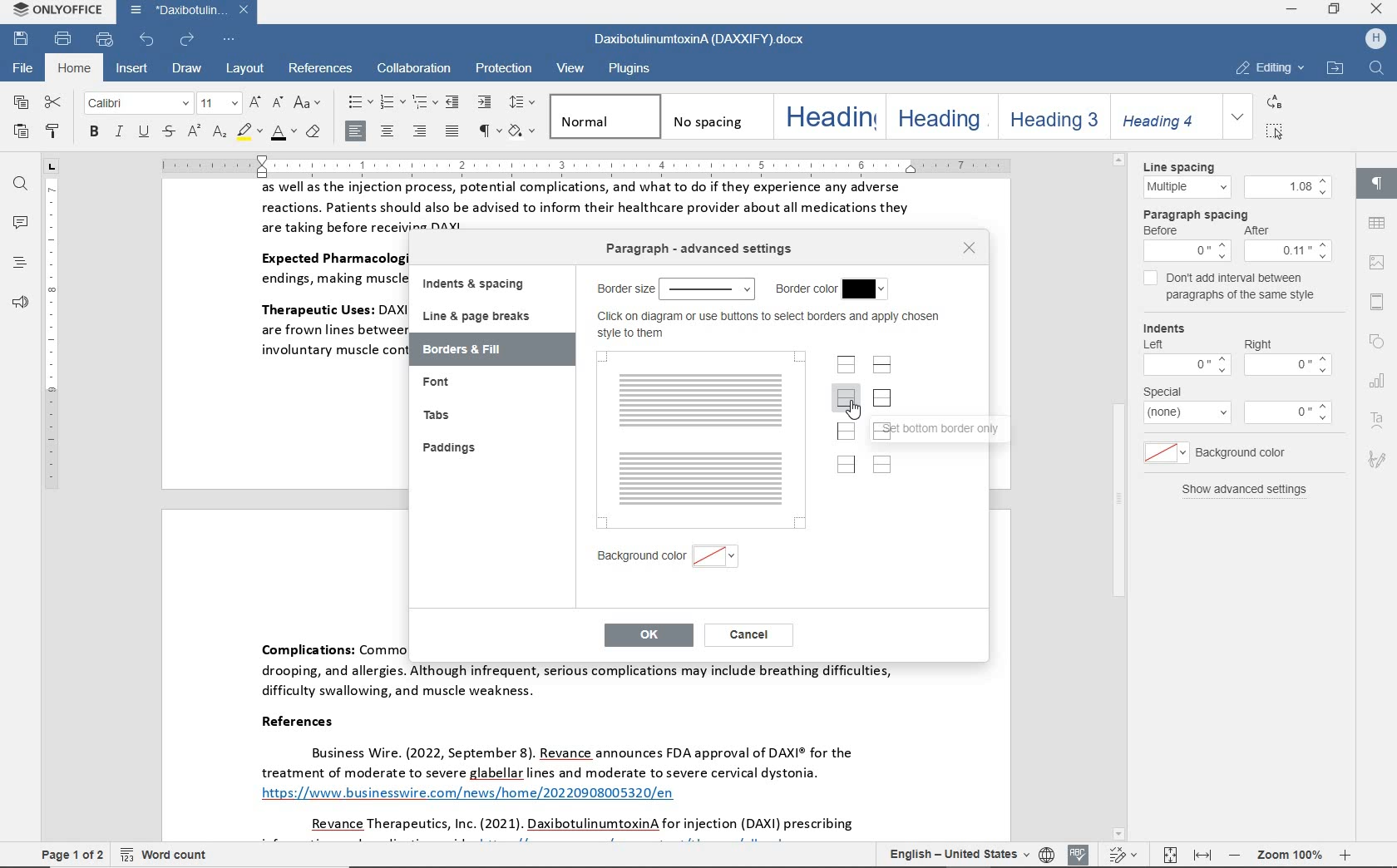 This screenshot has width=1397, height=868. What do you see at coordinates (503, 67) in the screenshot?
I see `protection` at bounding box center [503, 67].